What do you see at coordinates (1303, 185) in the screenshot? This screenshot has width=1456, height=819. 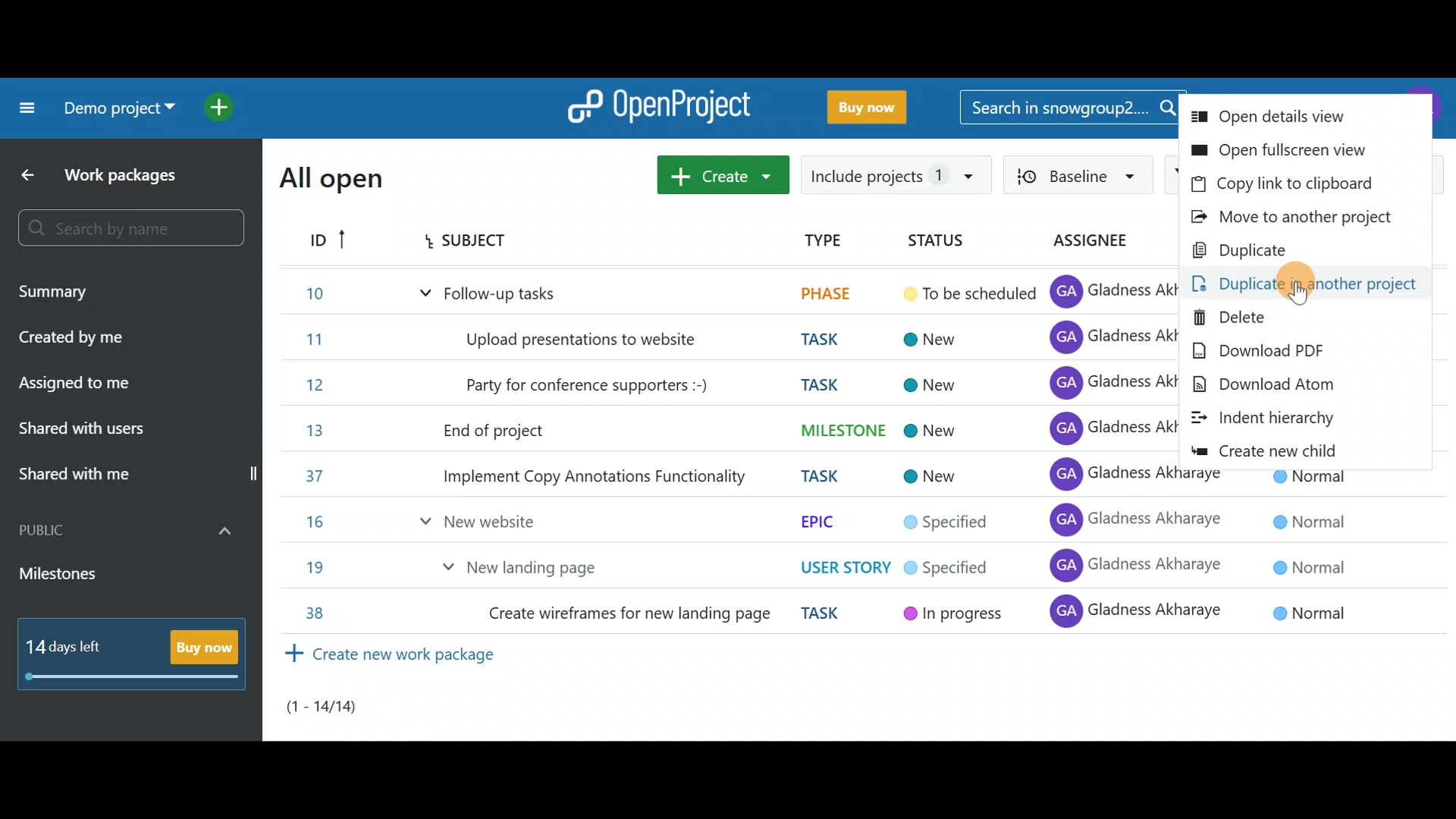 I see `Copy link to clipboard` at bounding box center [1303, 185].